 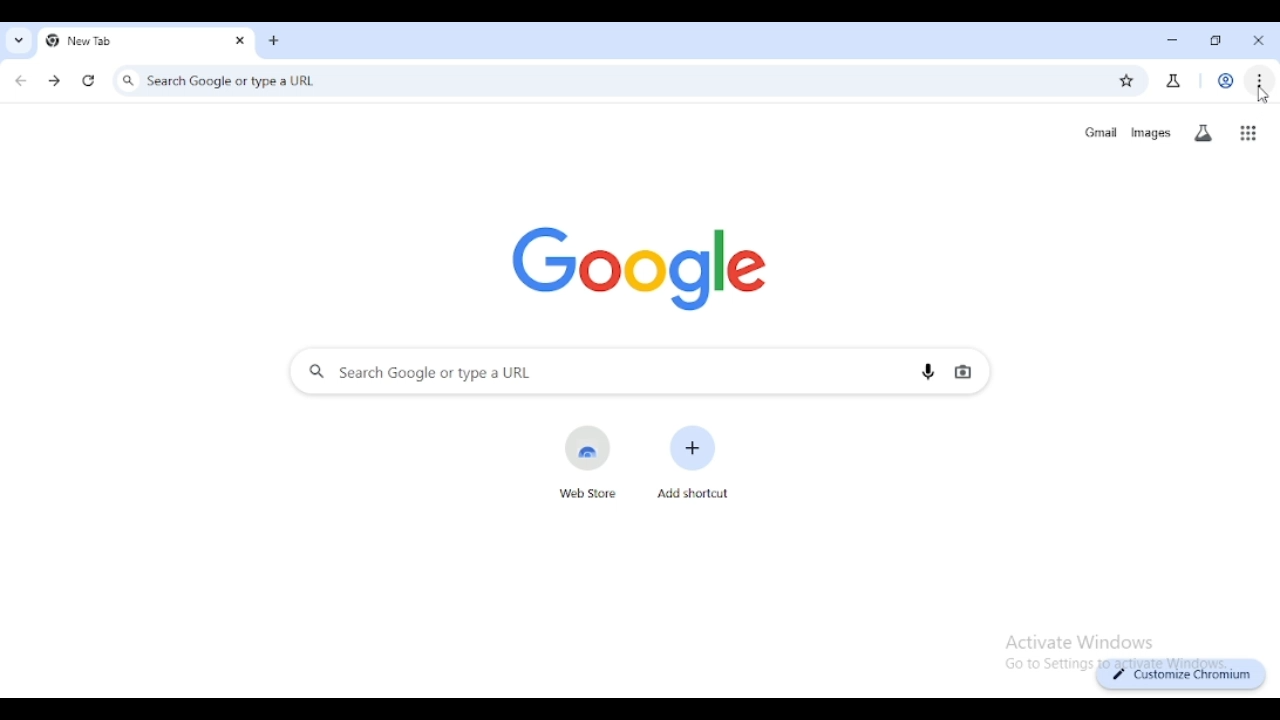 What do you see at coordinates (963, 372) in the screenshot?
I see `search by image` at bounding box center [963, 372].